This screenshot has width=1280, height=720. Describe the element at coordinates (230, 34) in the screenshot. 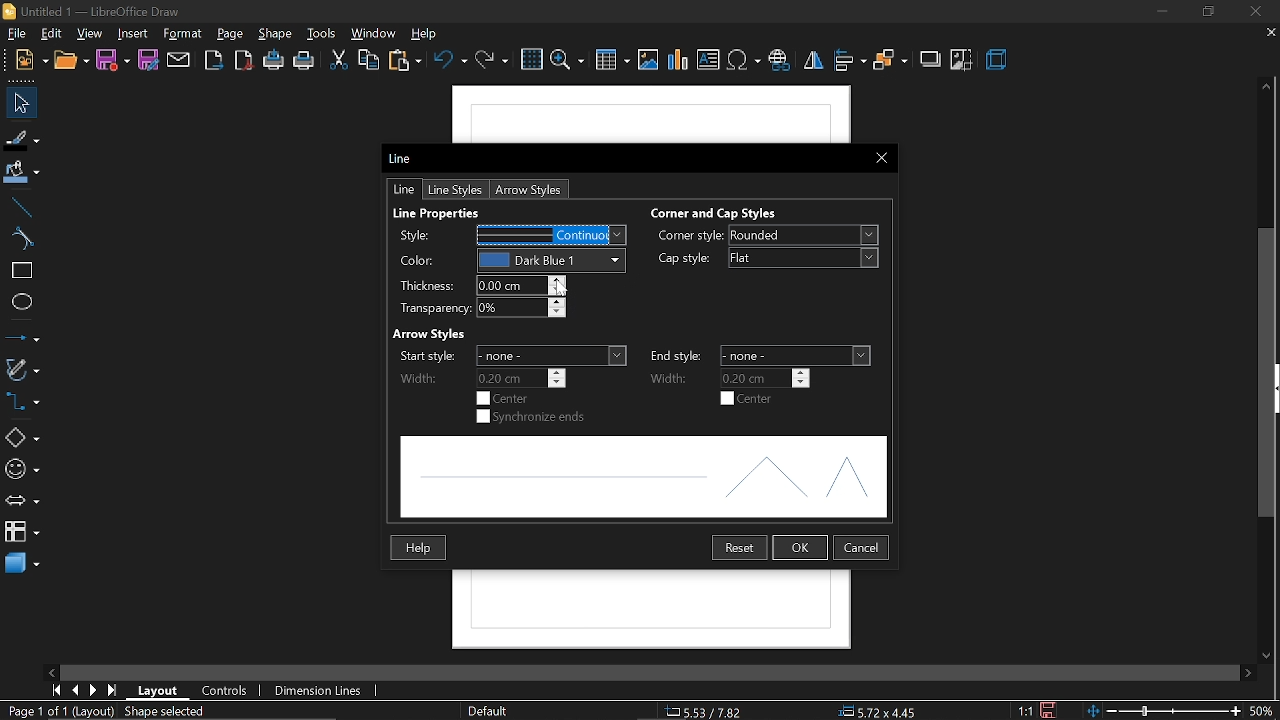

I see `page` at that location.